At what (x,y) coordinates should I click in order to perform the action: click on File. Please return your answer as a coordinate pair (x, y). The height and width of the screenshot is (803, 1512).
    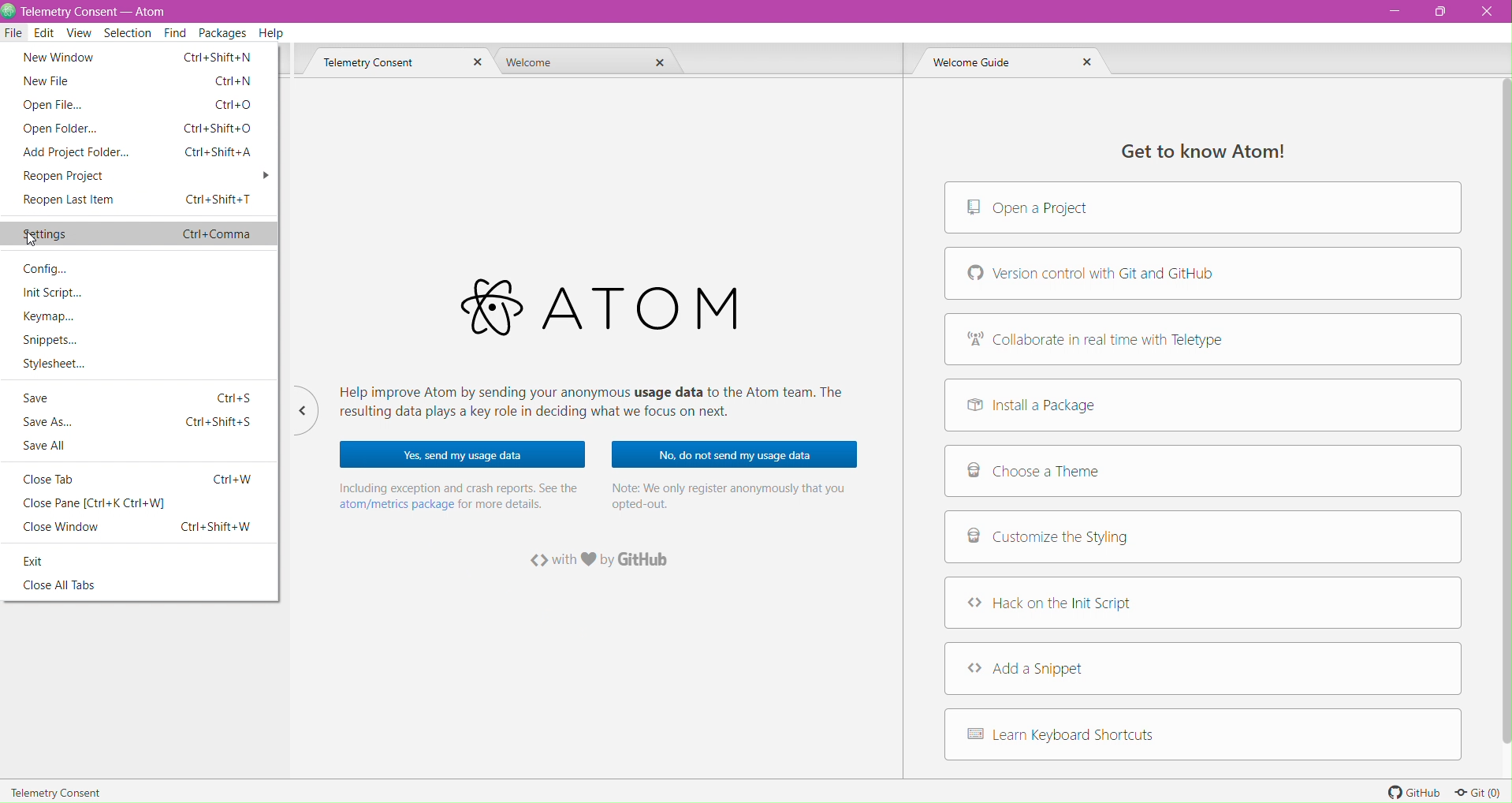
    Looking at the image, I should click on (13, 33).